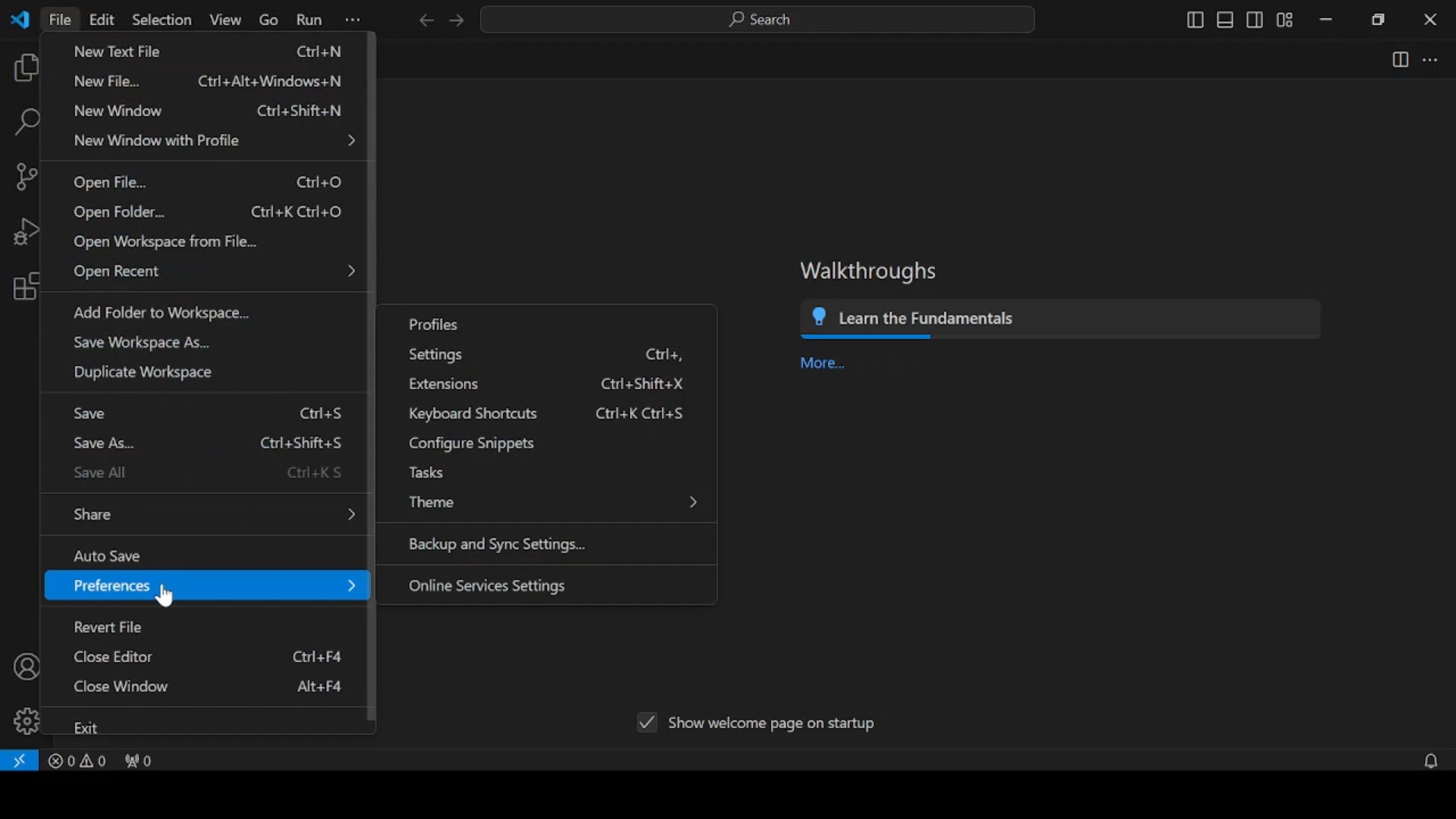 The image size is (1456, 819). Describe the element at coordinates (165, 243) in the screenshot. I see `open workspace from file` at that location.